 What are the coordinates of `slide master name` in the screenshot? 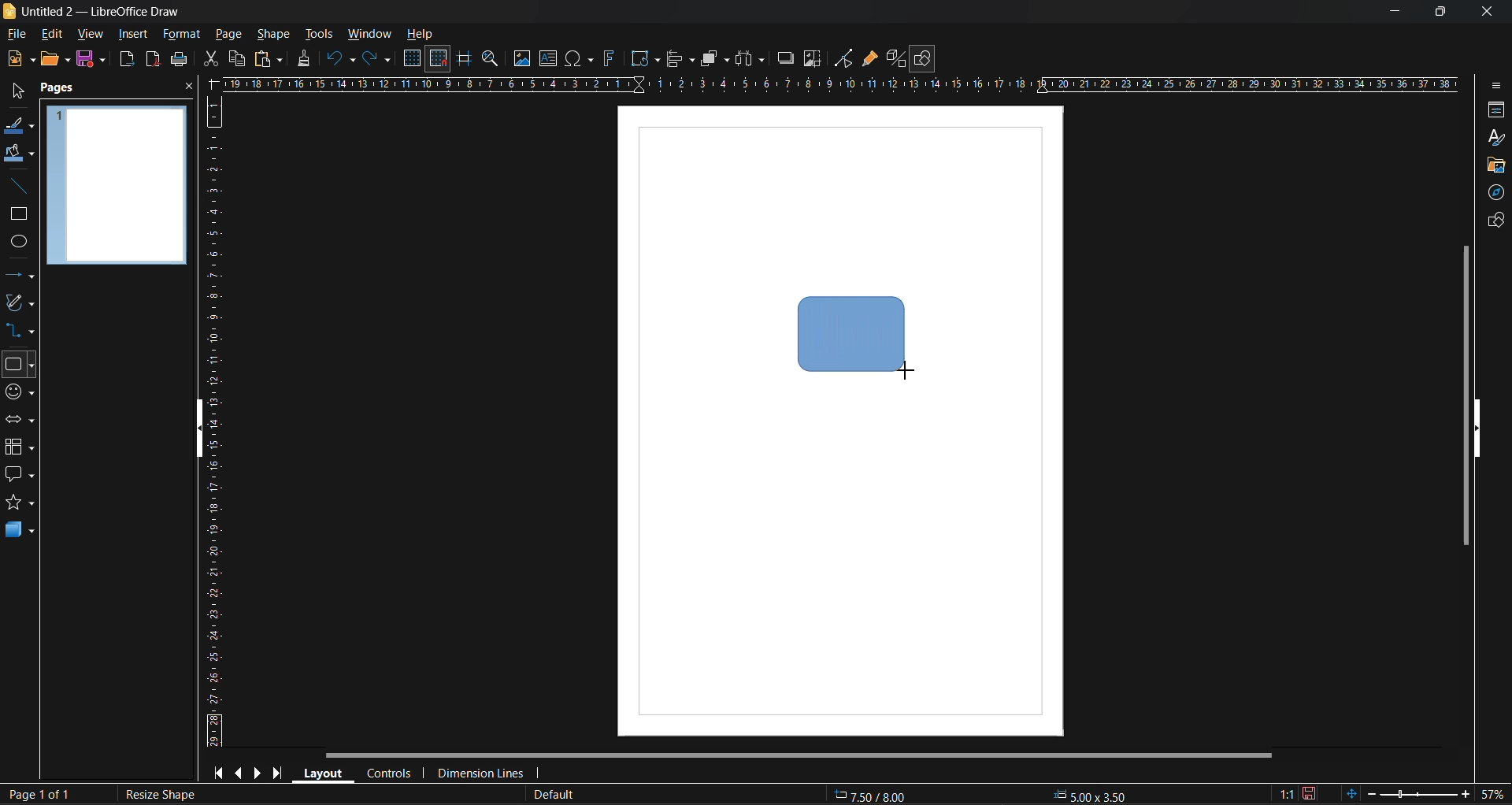 It's located at (550, 796).